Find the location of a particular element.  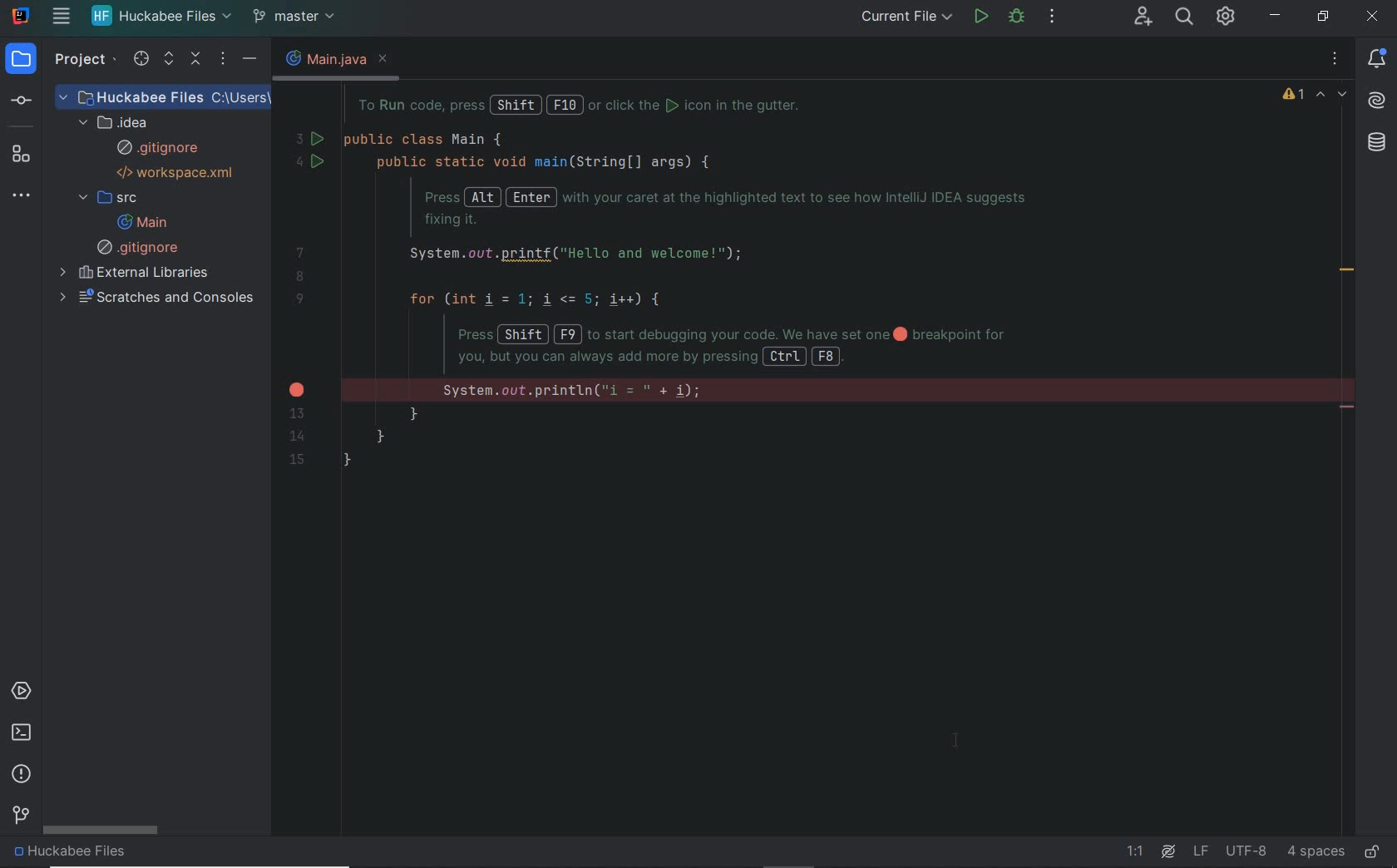

project file name is located at coordinates (165, 96).